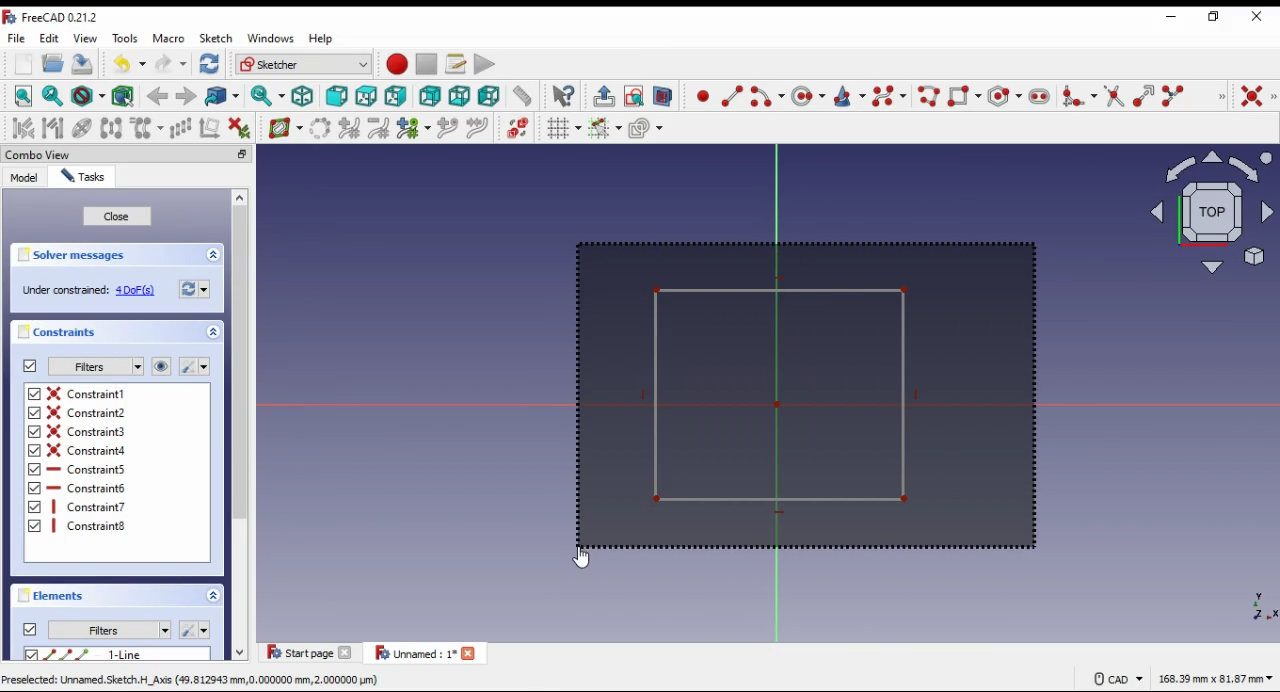 This screenshot has width=1280, height=692. What do you see at coordinates (321, 129) in the screenshot?
I see `convert geometry to bspline` at bounding box center [321, 129].